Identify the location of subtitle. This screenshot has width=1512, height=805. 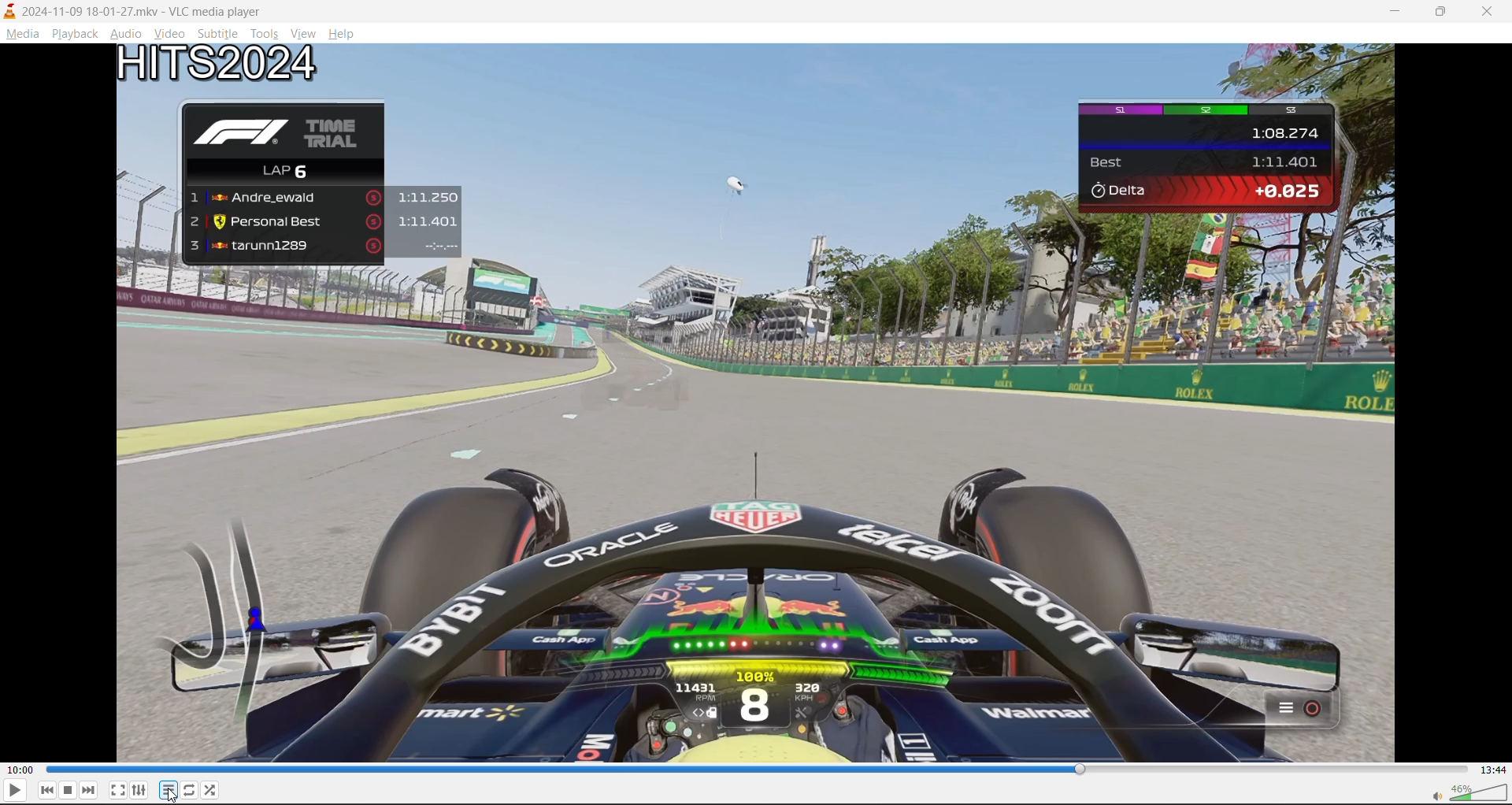
(218, 33).